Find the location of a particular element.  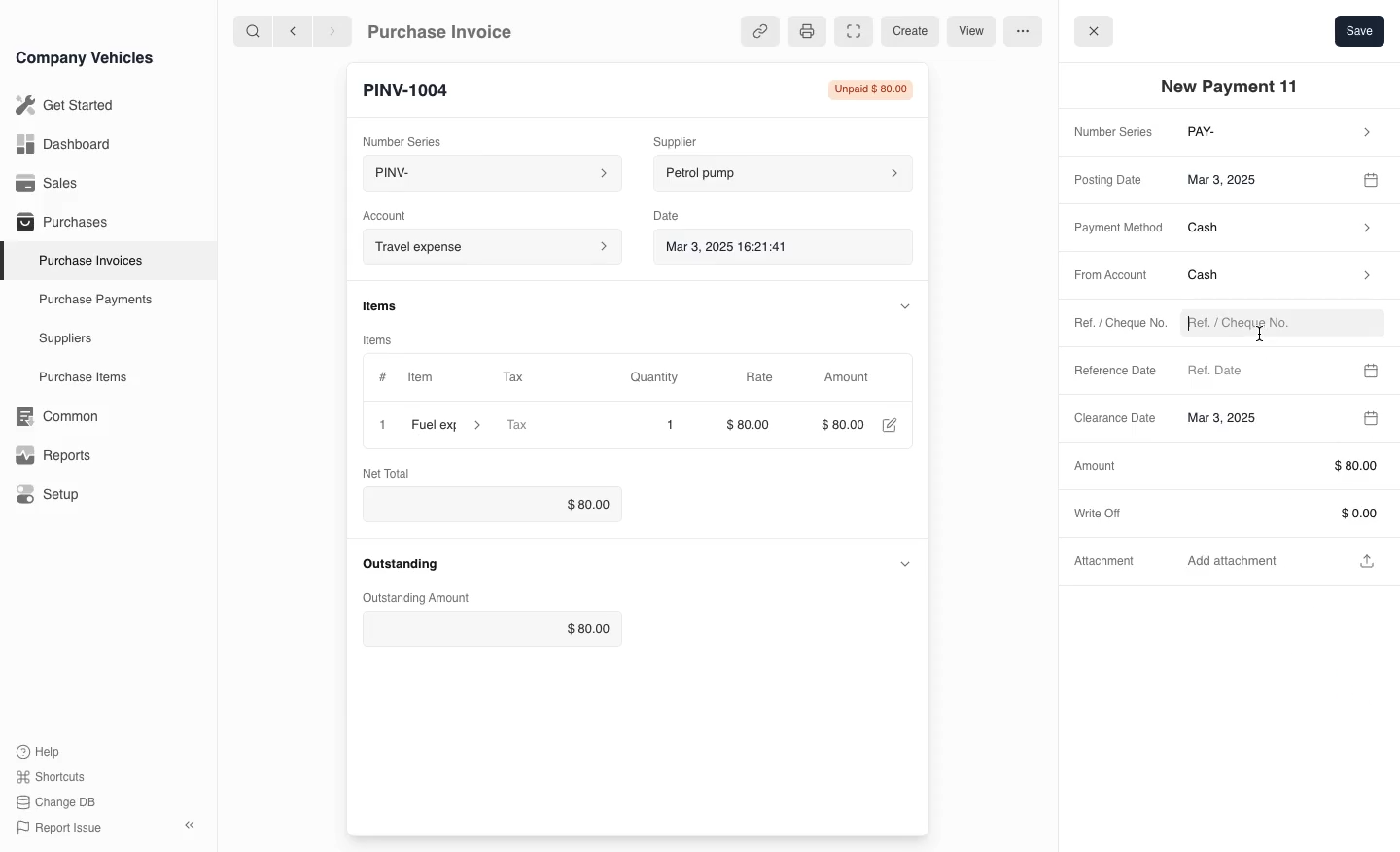

Purchases is located at coordinates (57, 224).